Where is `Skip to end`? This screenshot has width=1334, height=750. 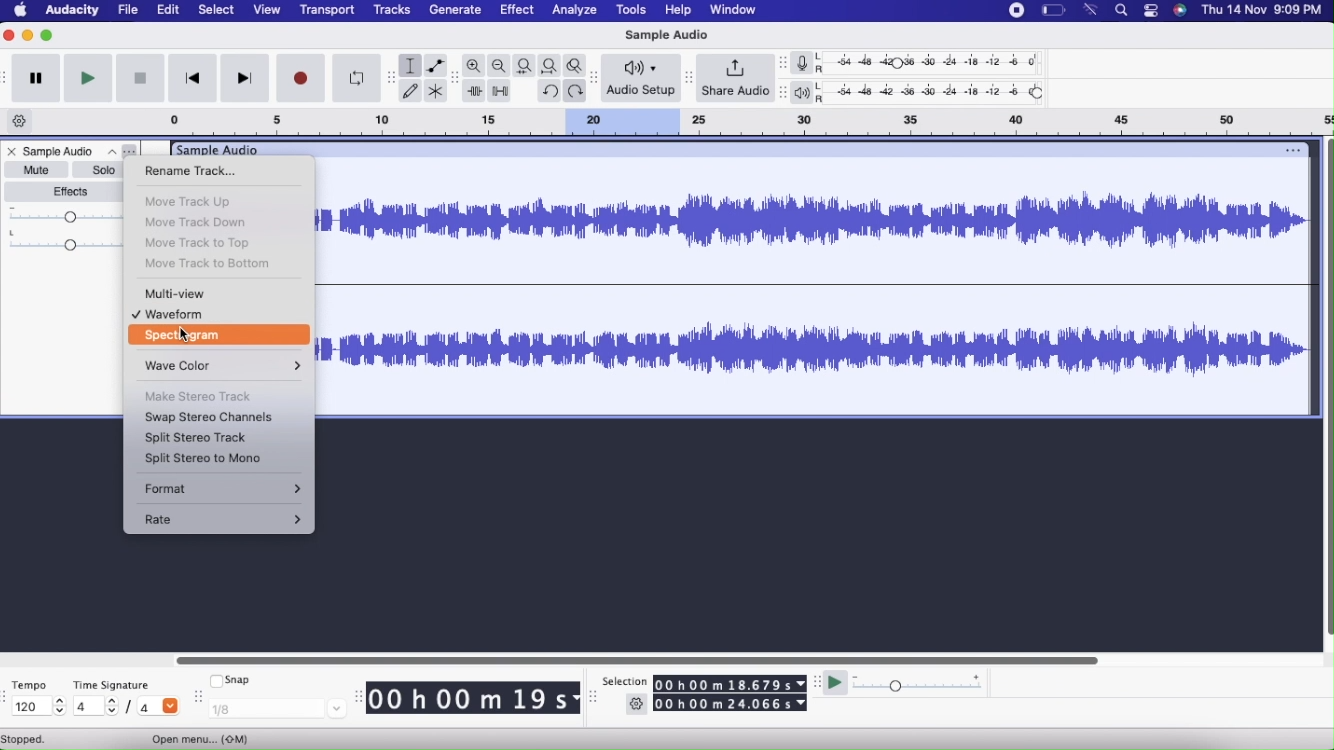 Skip to end is located at coordinates (244, 78).